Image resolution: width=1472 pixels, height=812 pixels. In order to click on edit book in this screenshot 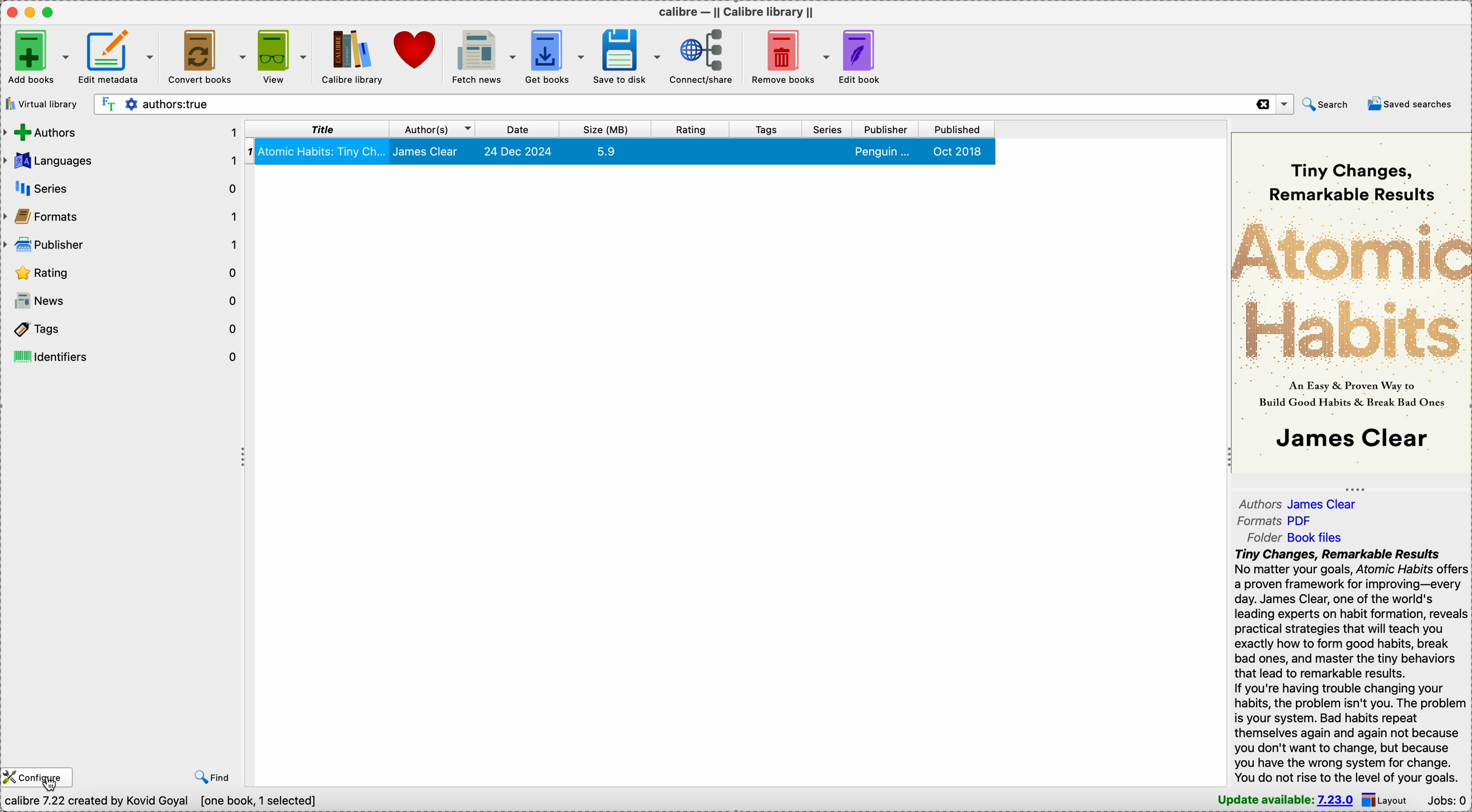, I will do `click(862, 57)`.